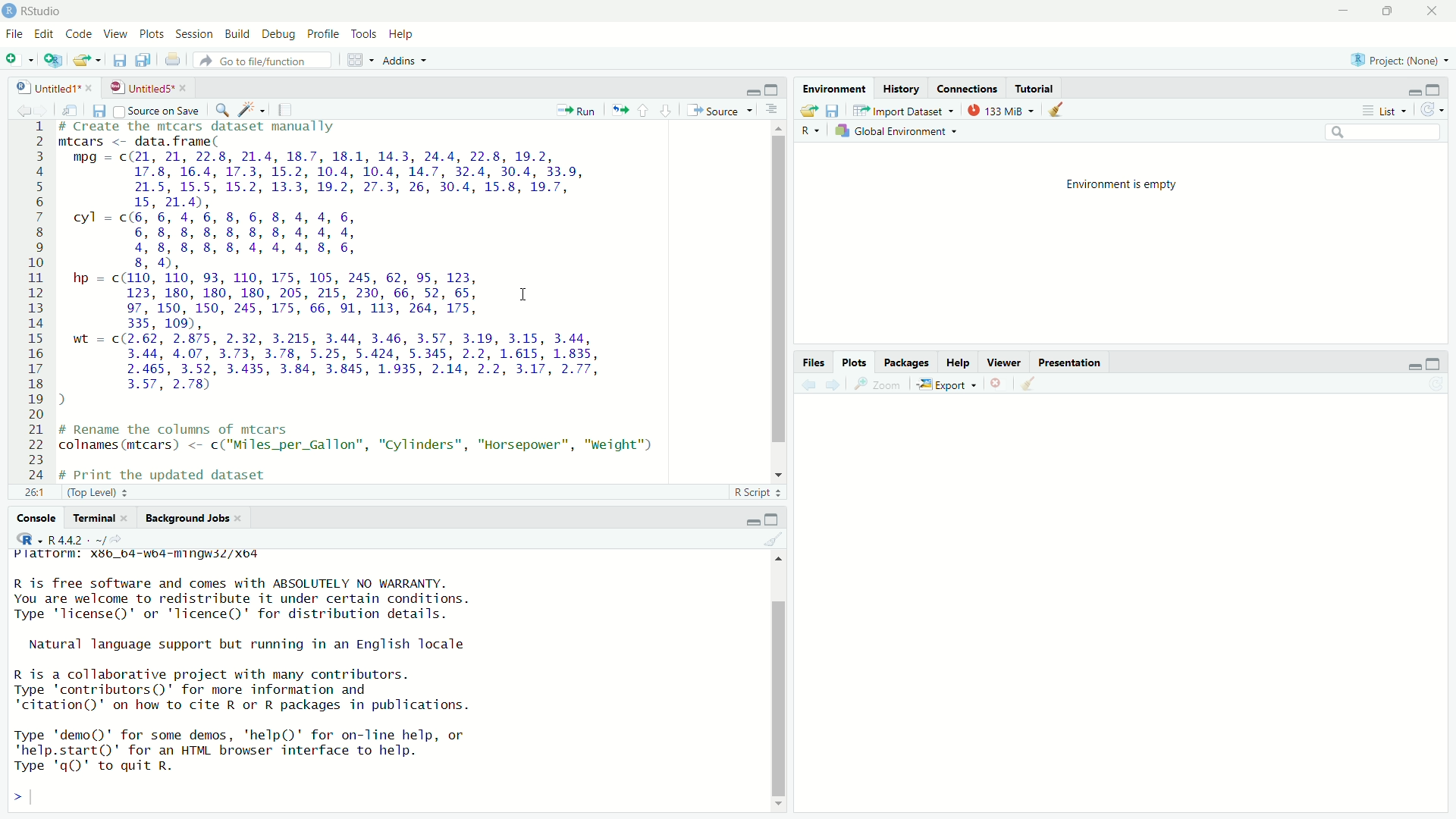  I want to click on cursor, so click(522, 293).